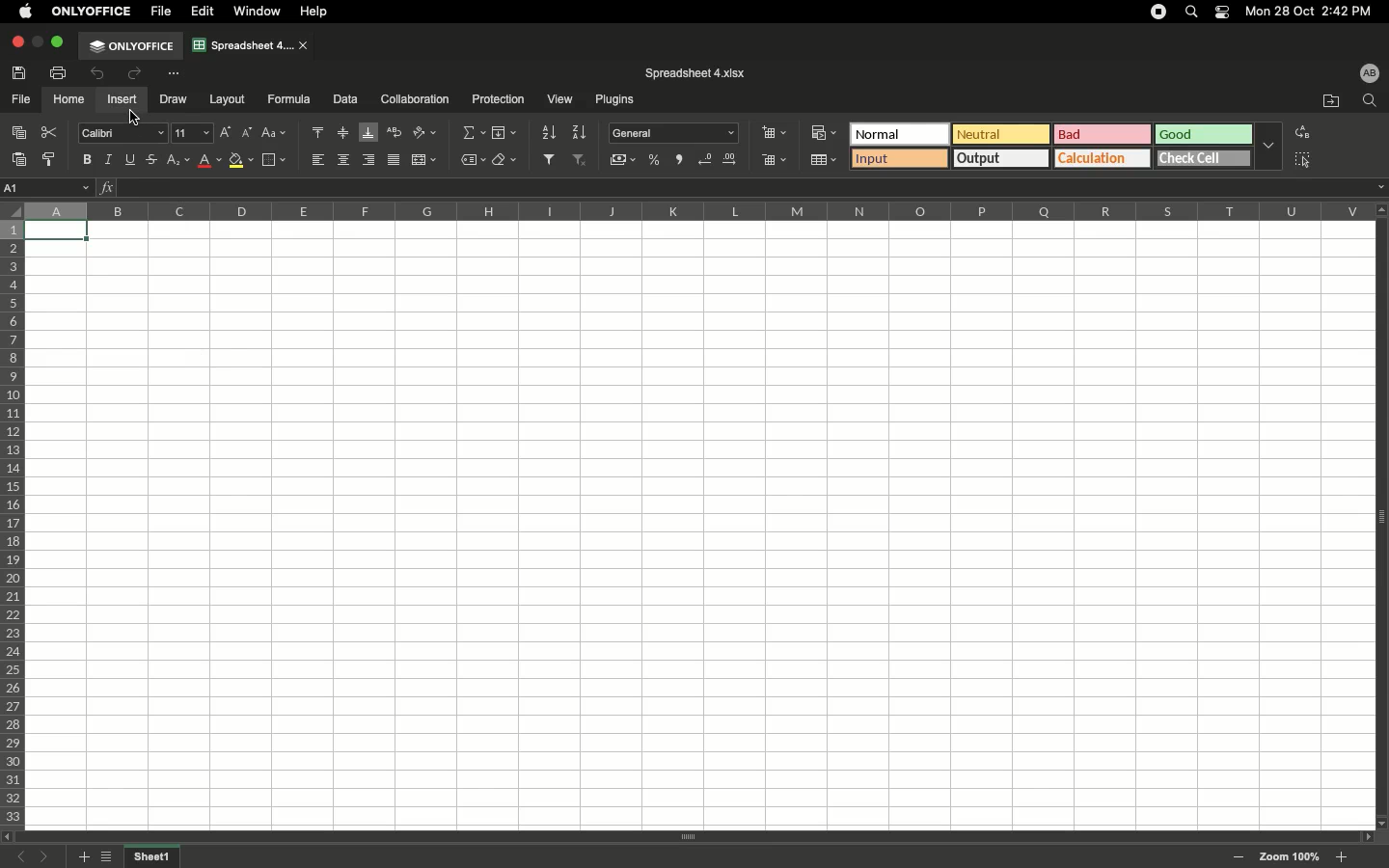 The image size is (1389, 868). Describe the element at coordinates (425, 159) in the screenshot. I see `Merge and center` at that location.